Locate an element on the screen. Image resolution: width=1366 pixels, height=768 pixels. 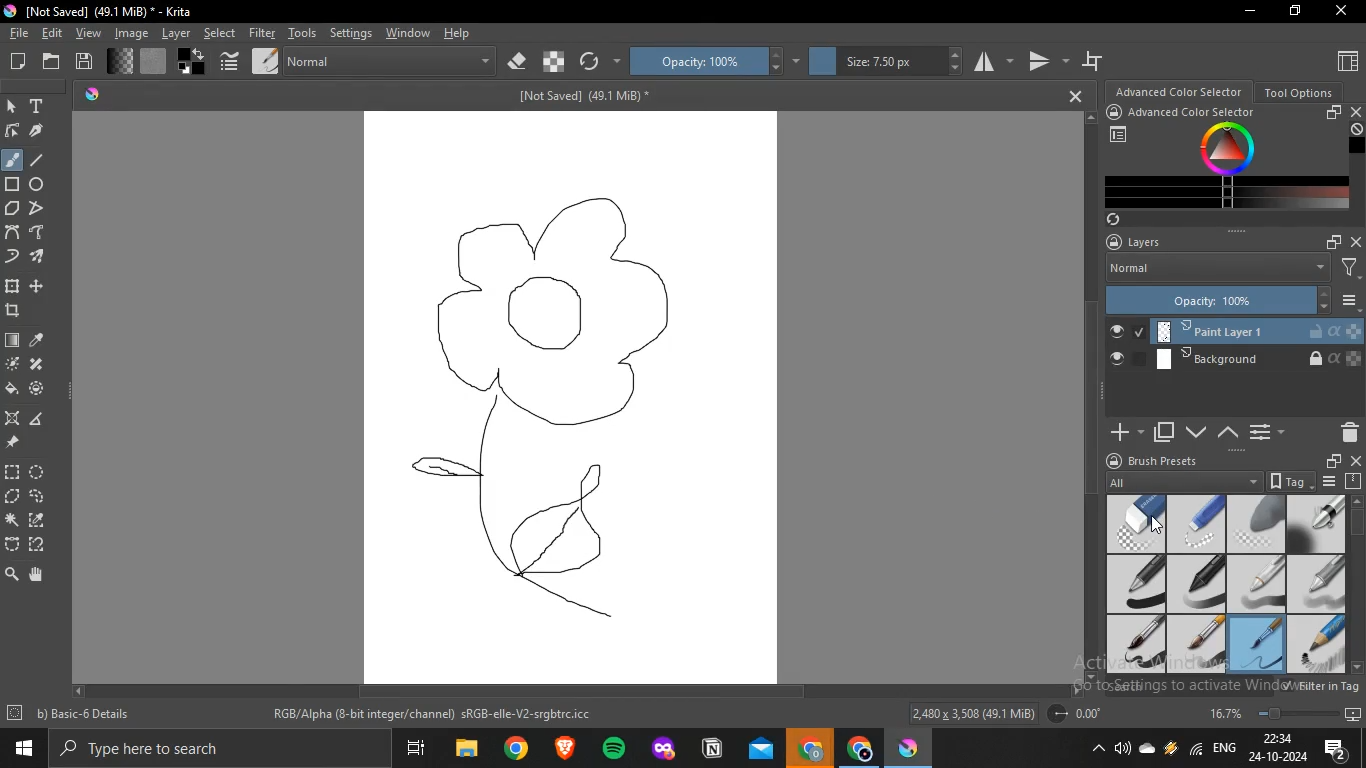
horizontal mirror tool is located at coordinates (991, 63).